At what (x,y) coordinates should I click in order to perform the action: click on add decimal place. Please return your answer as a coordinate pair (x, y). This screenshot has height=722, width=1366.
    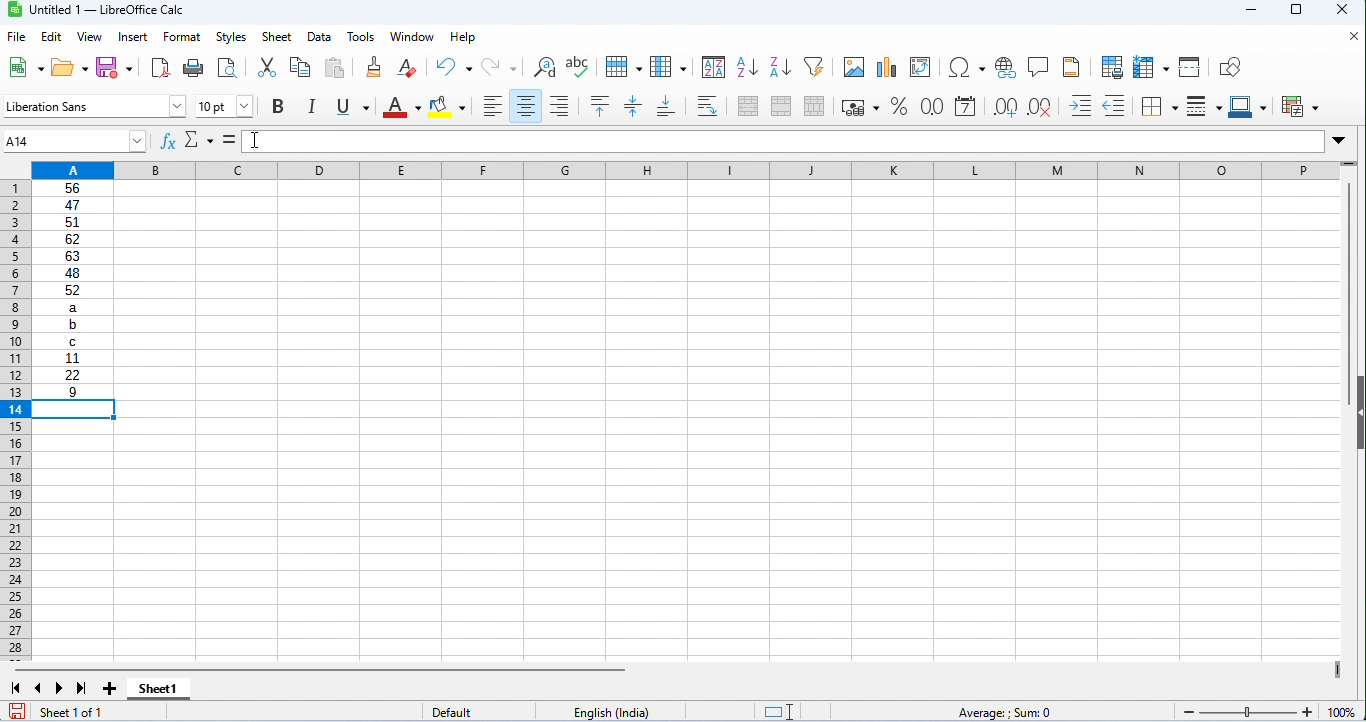
    Looking at the image, I should click on (1005, 107).